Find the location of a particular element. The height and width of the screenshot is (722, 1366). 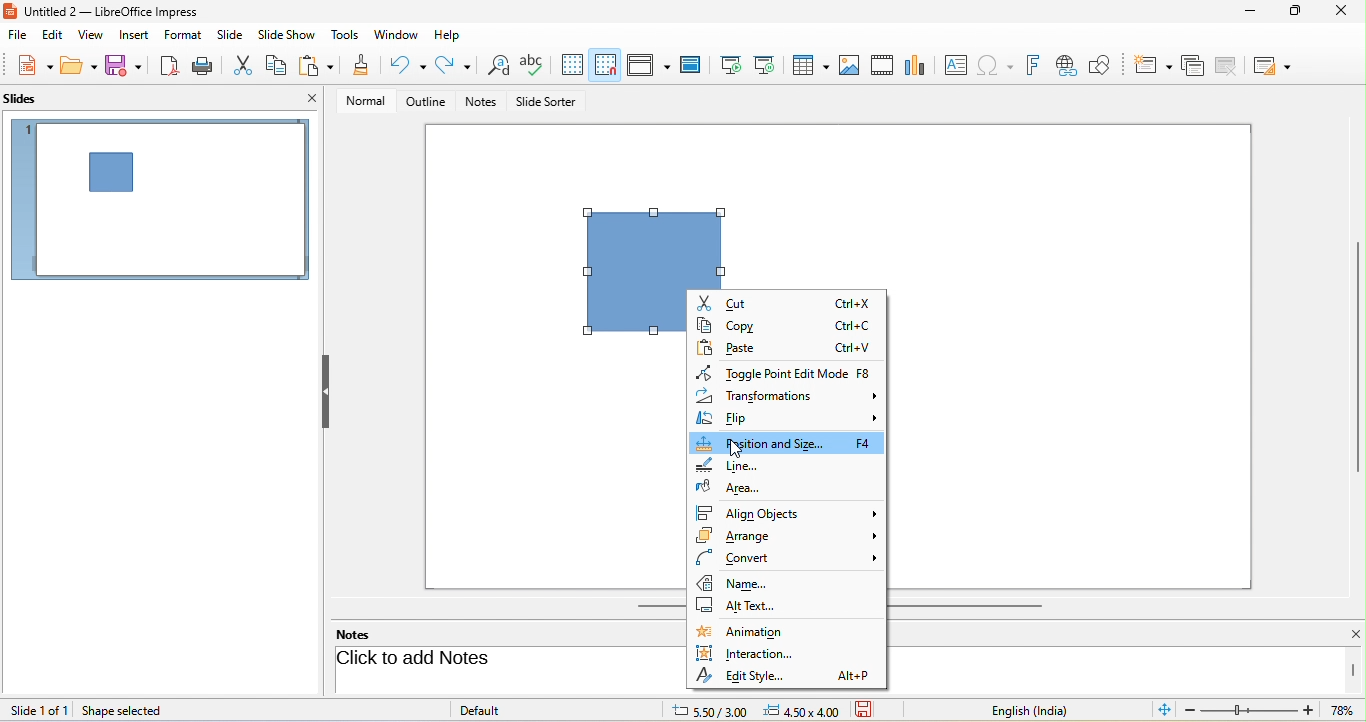

open is located at coordinates (79, 68).